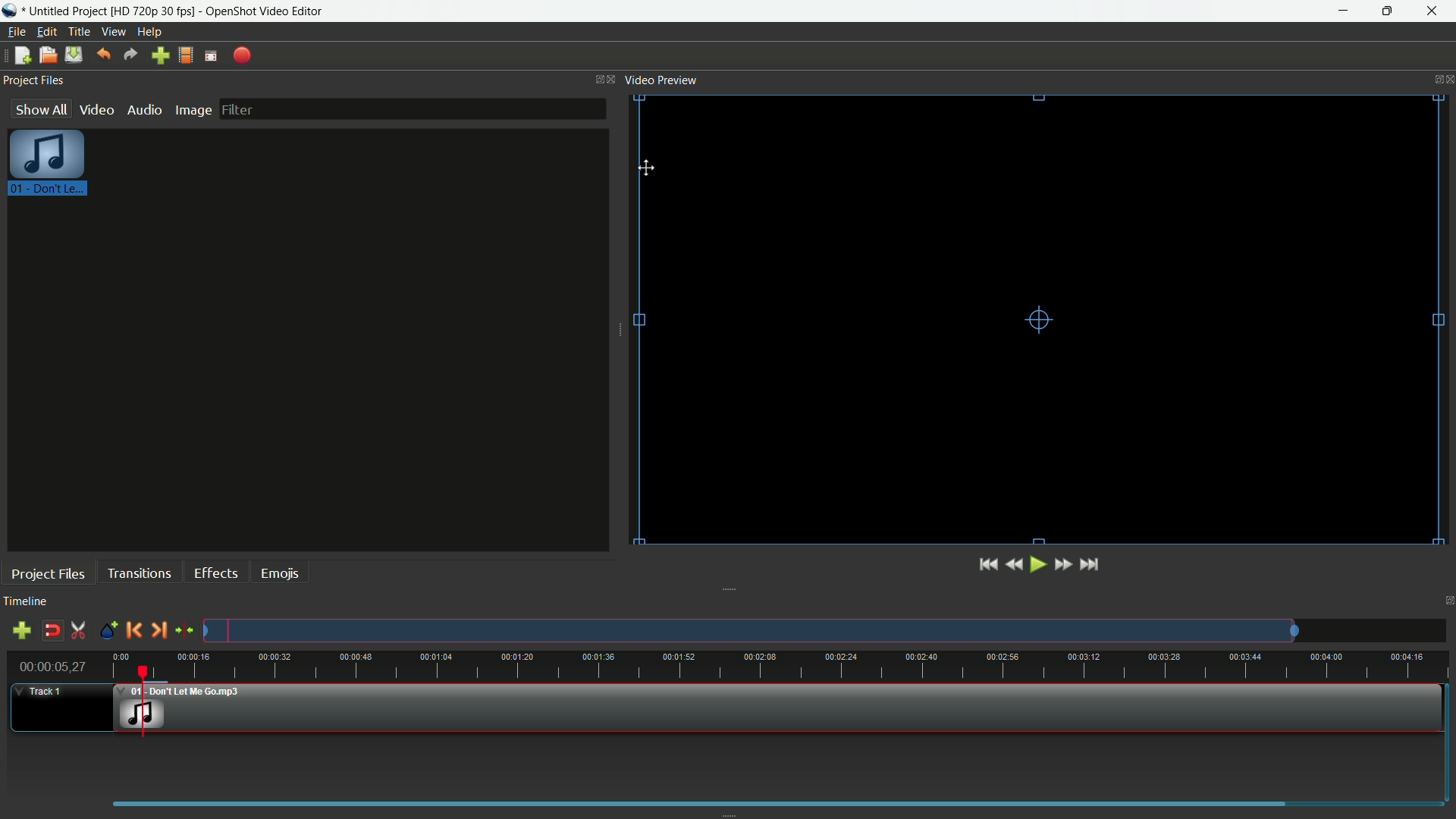 Image resolution: width=1456 pixels, height=819 pixels. I want to click on import file, so click(162, 56).